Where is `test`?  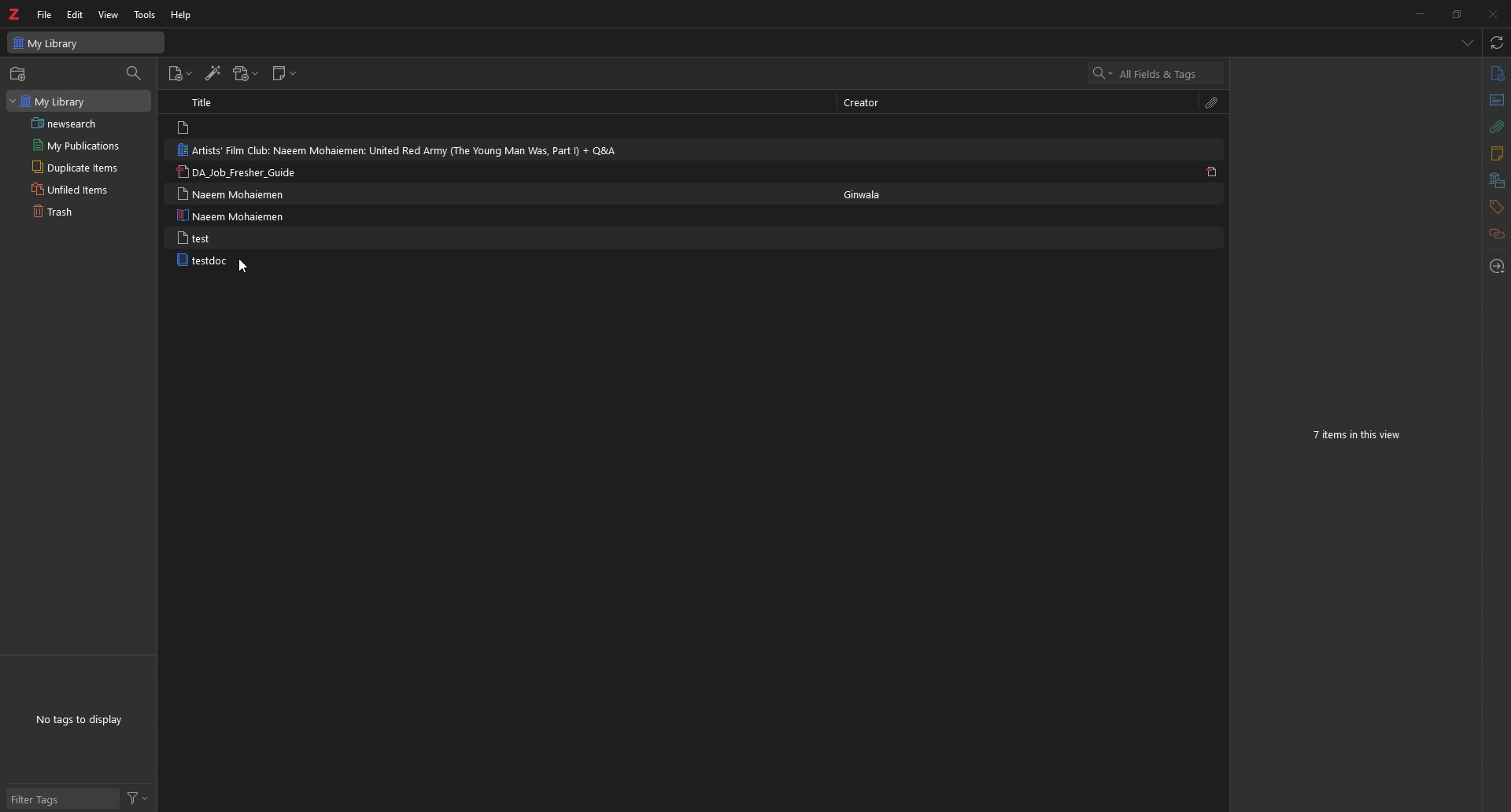
test is located at coordinates (199, 238).